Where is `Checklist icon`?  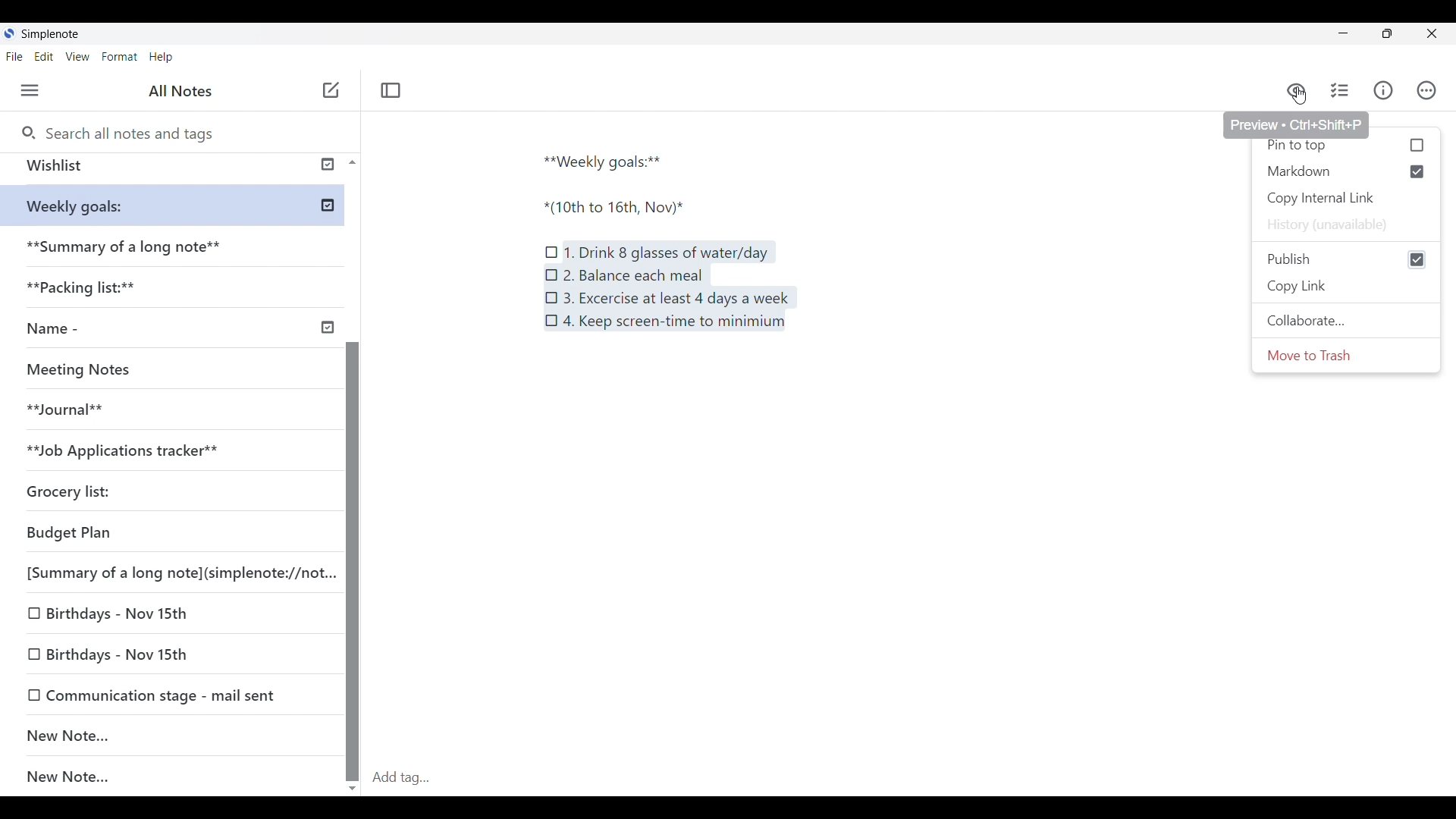
Checklist icon is located at coordinates (552, 296).